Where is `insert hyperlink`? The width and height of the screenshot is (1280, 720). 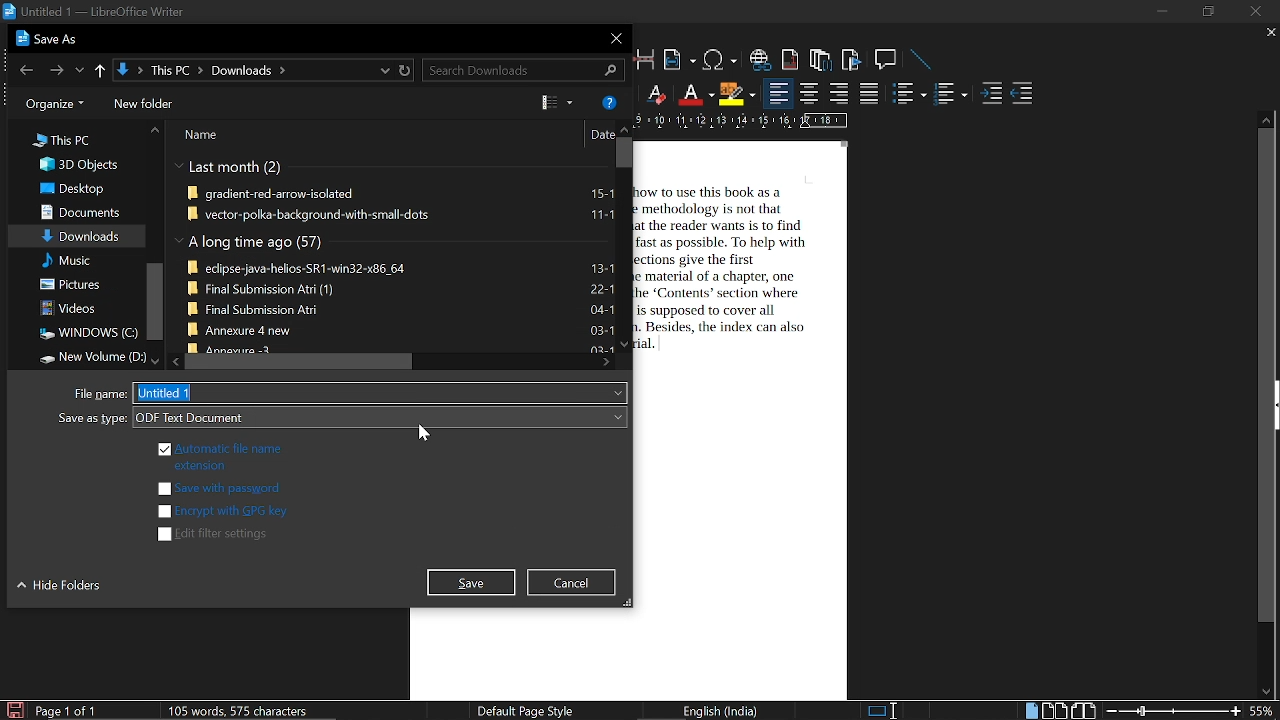
insert hyperlink is located at coordinates (761, 60).